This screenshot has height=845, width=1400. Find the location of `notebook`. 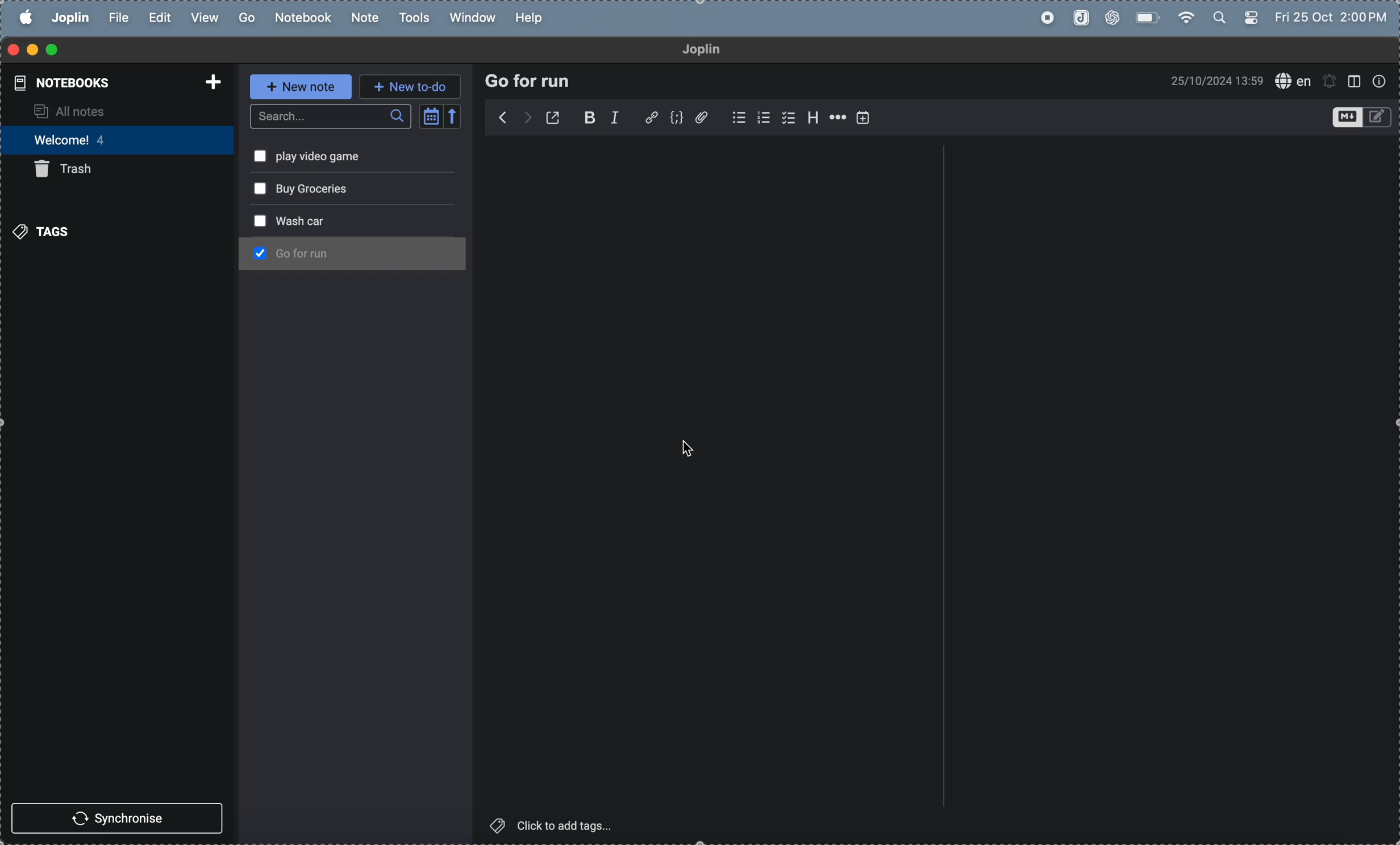

notebook is located at coordinates (298, 16).